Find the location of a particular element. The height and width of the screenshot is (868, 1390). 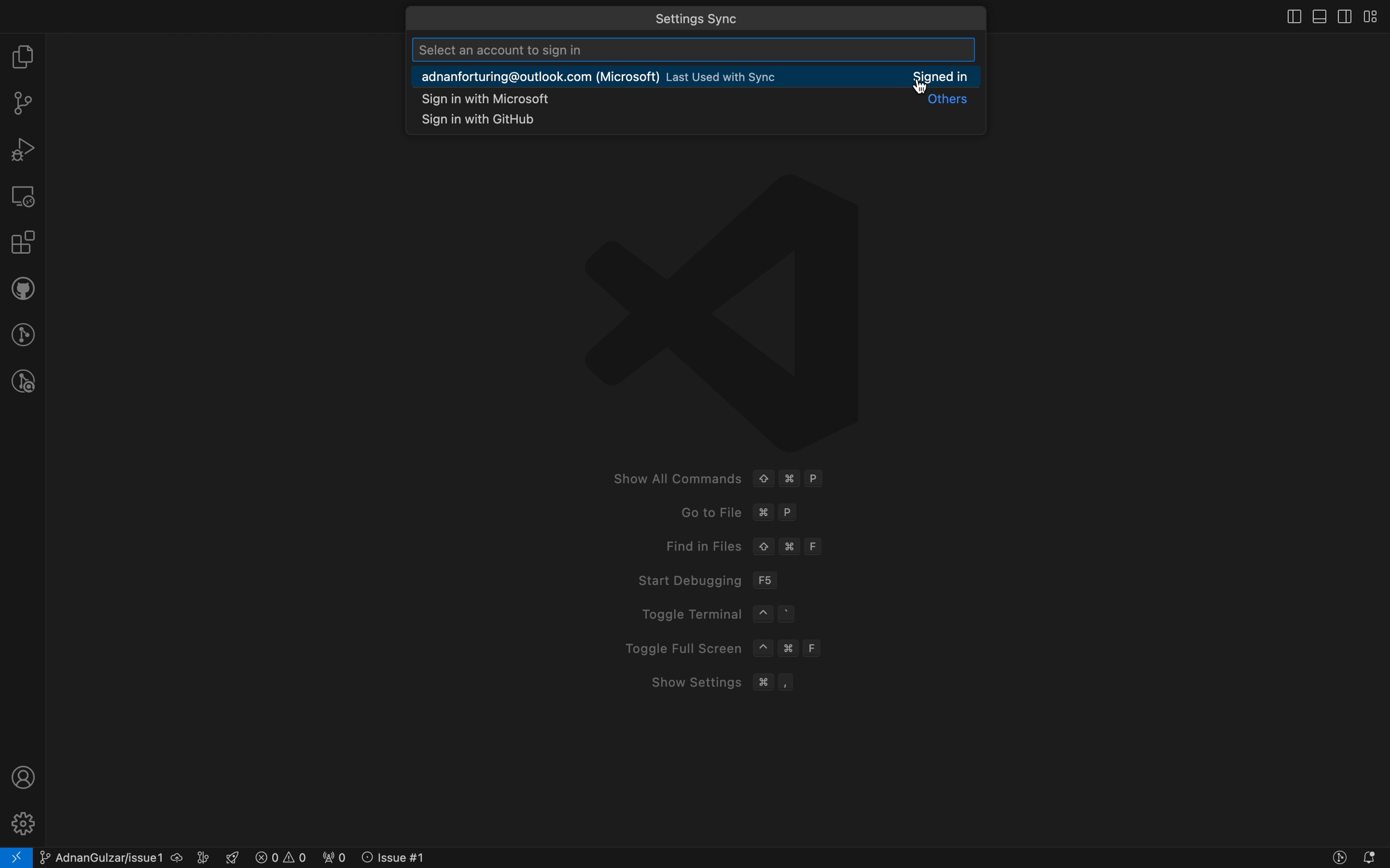

close slidebar is located at coordinates (1286, 18).